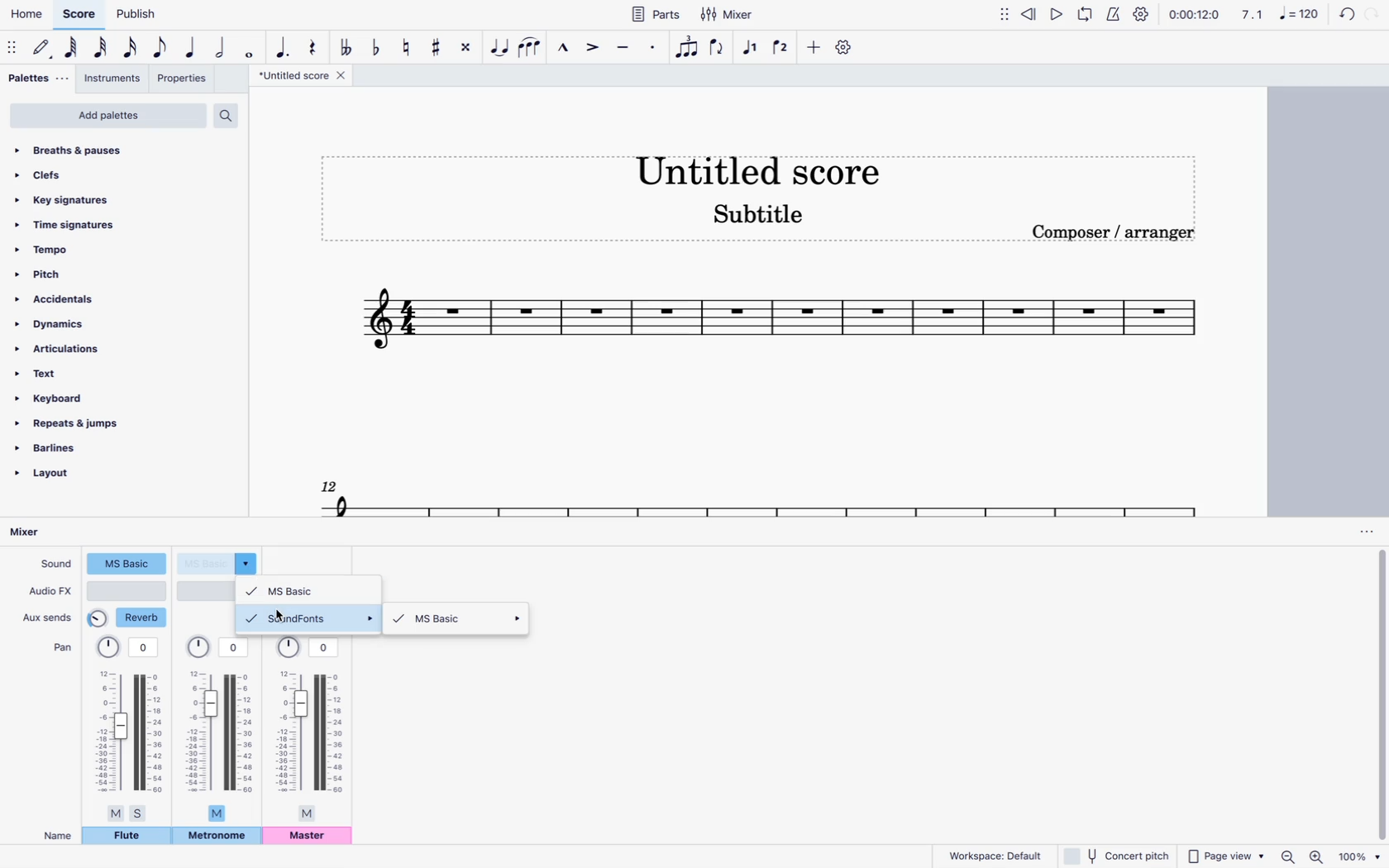 The height and width of the screenshot is (868, 1389). Describe the element at coordinates (1277, 17) in the screenshot. I see `scale` at that location.